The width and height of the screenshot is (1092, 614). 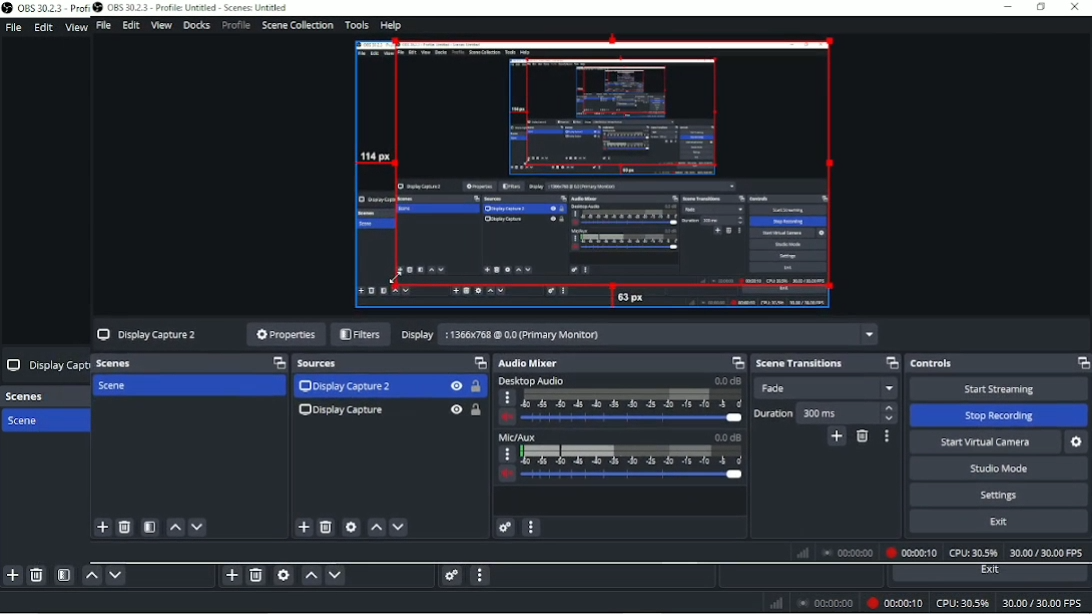 I want to click on Docks, so click(x=198, y=26).